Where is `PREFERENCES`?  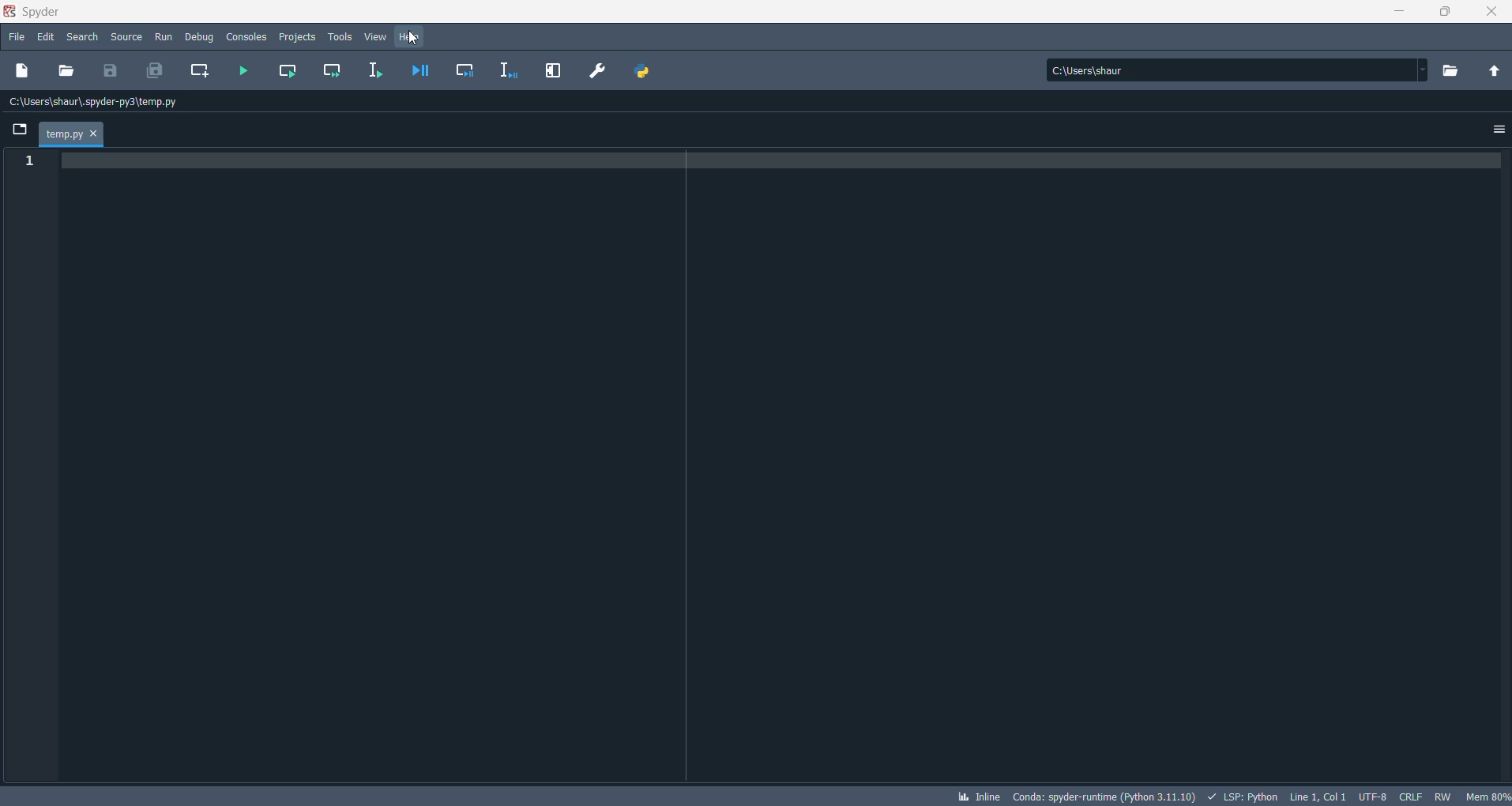
PREFERENCES is located at coordinates (598, 73).